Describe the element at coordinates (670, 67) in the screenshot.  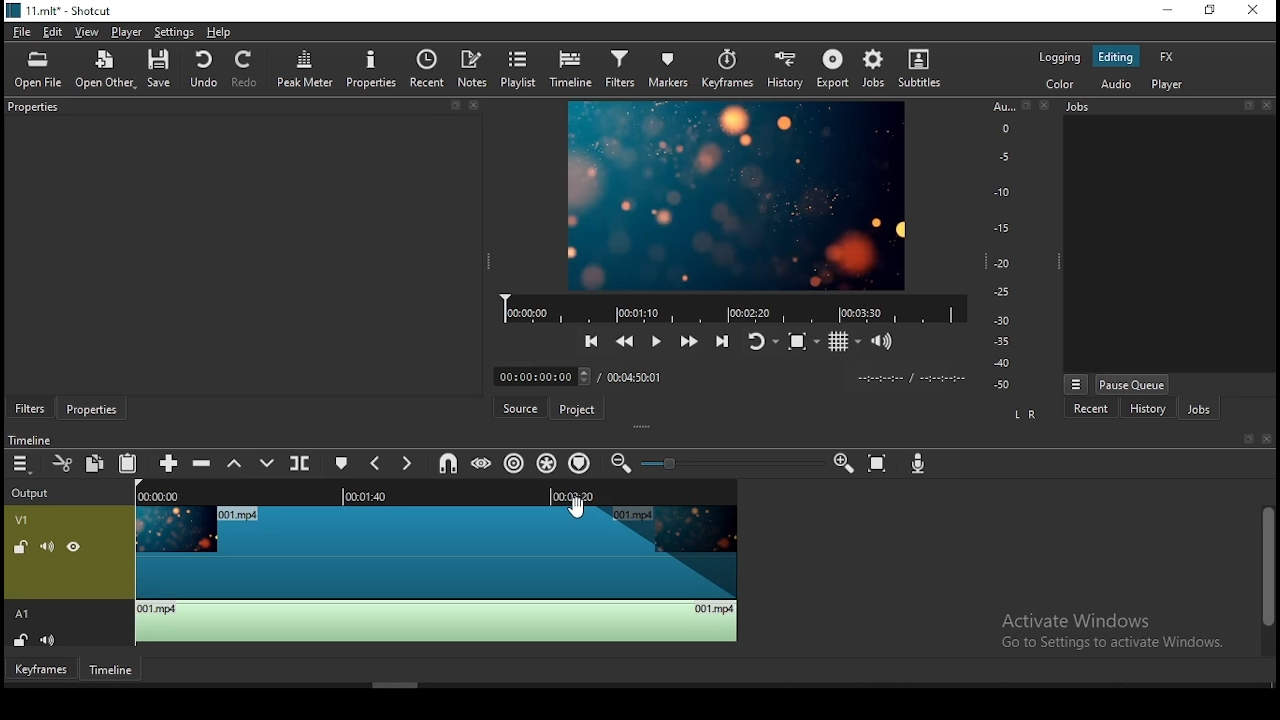
I see `markers` at that location.